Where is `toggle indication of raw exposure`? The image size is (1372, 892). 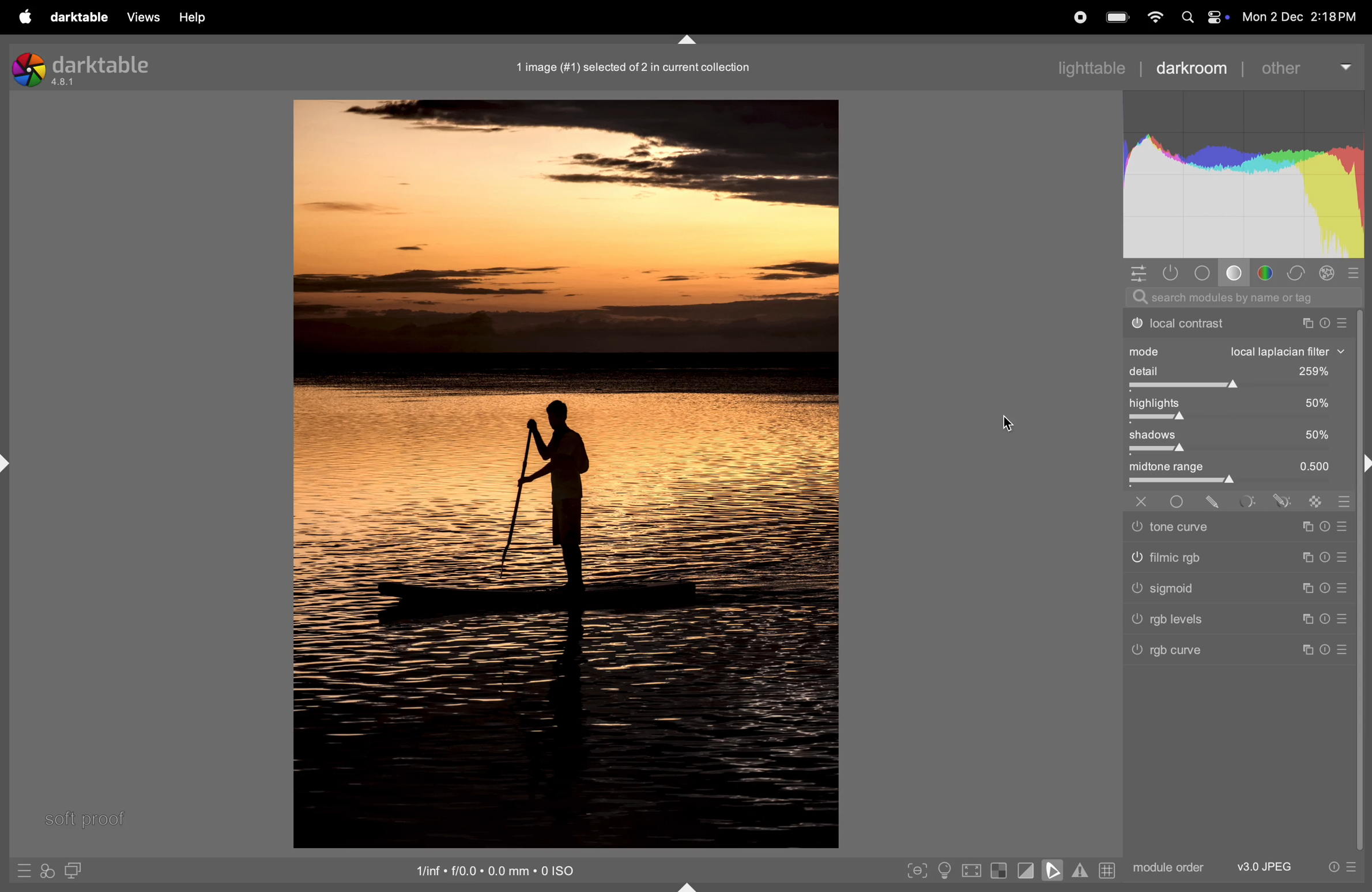 toggle indication of raw exposure is located at coordinates (1000, 870).